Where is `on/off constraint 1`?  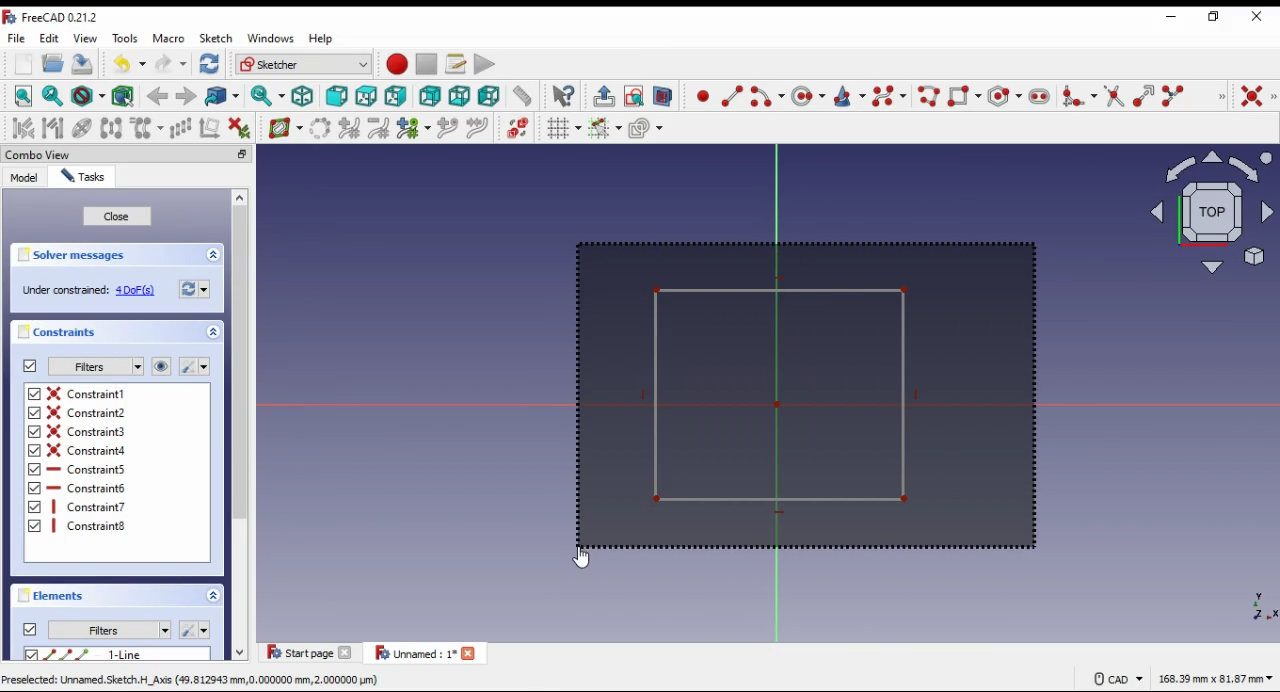 on/off constraint 1 is located at coordinates (90, 393).